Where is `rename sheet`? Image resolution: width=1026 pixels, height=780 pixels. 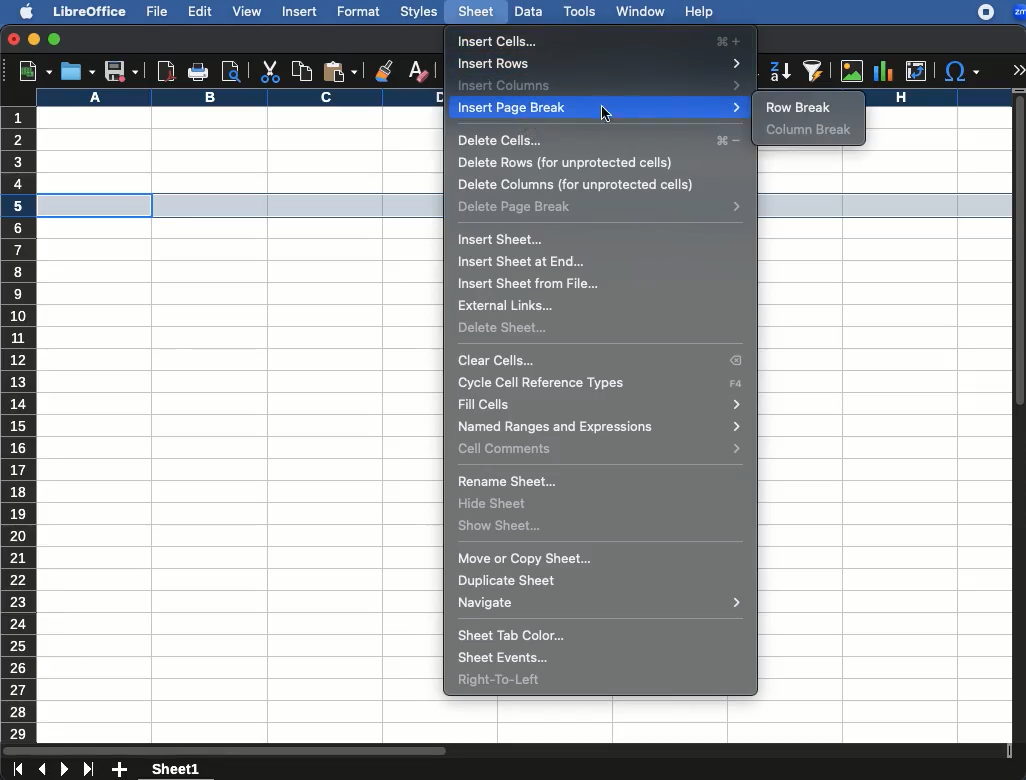 rename sheet is located at coordinates (511, 482).